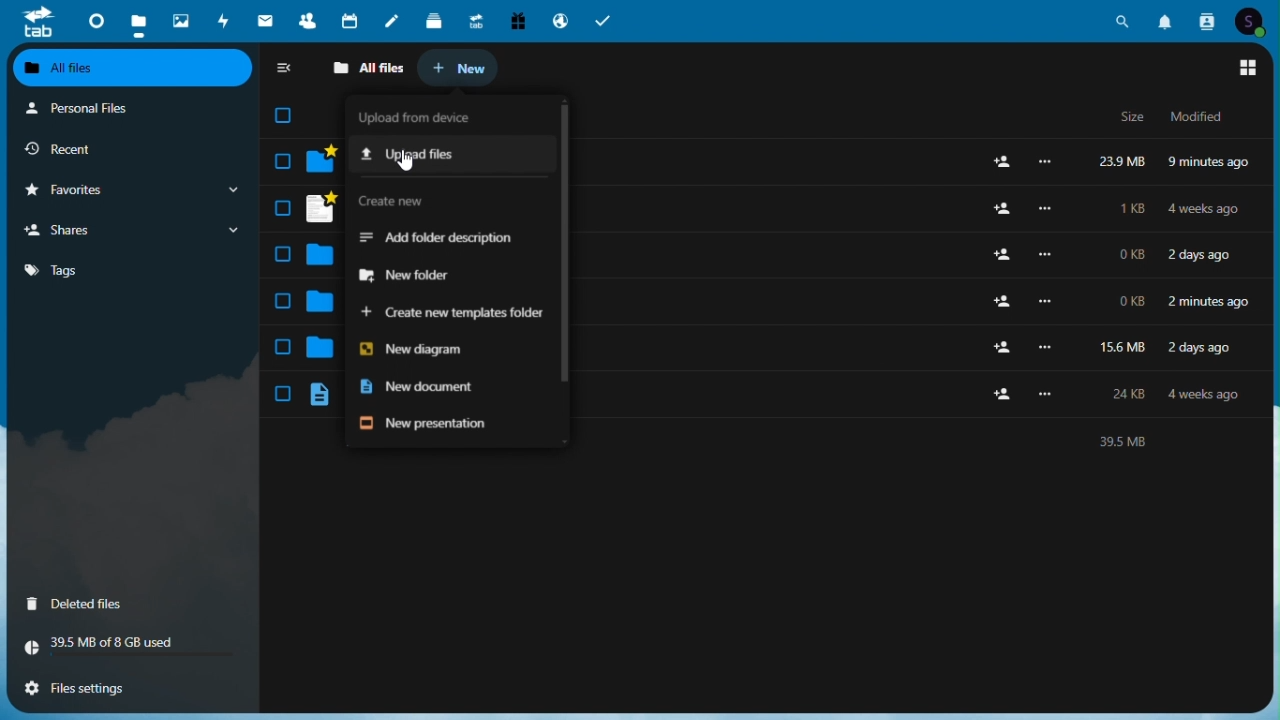  Describe the element at coordinates (1112, 164) in the screenshot. I see `File` at that location.